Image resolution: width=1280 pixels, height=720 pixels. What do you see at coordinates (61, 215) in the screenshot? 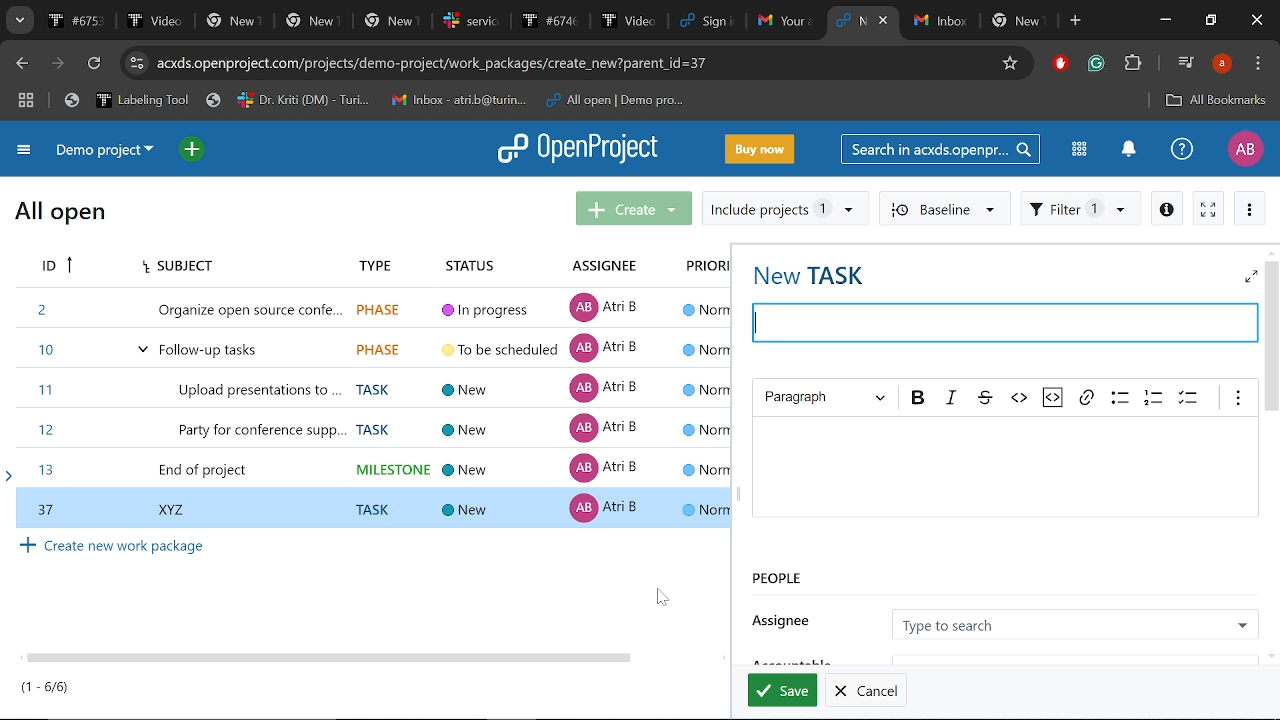
I see `All open` at bounding box center [61, 215].